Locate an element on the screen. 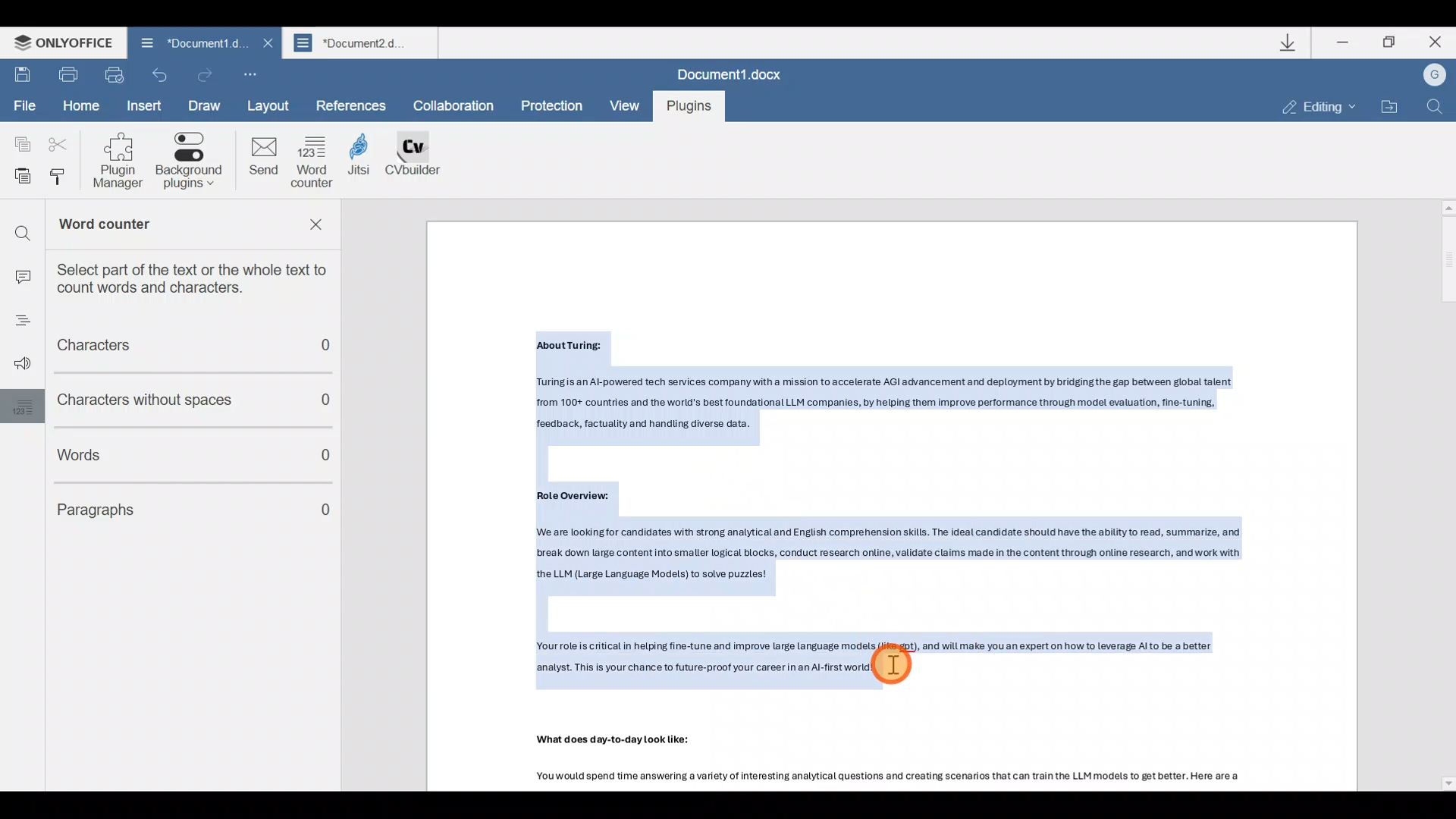 The image size is (1456, 819). File is located at coordinates (24, 106).